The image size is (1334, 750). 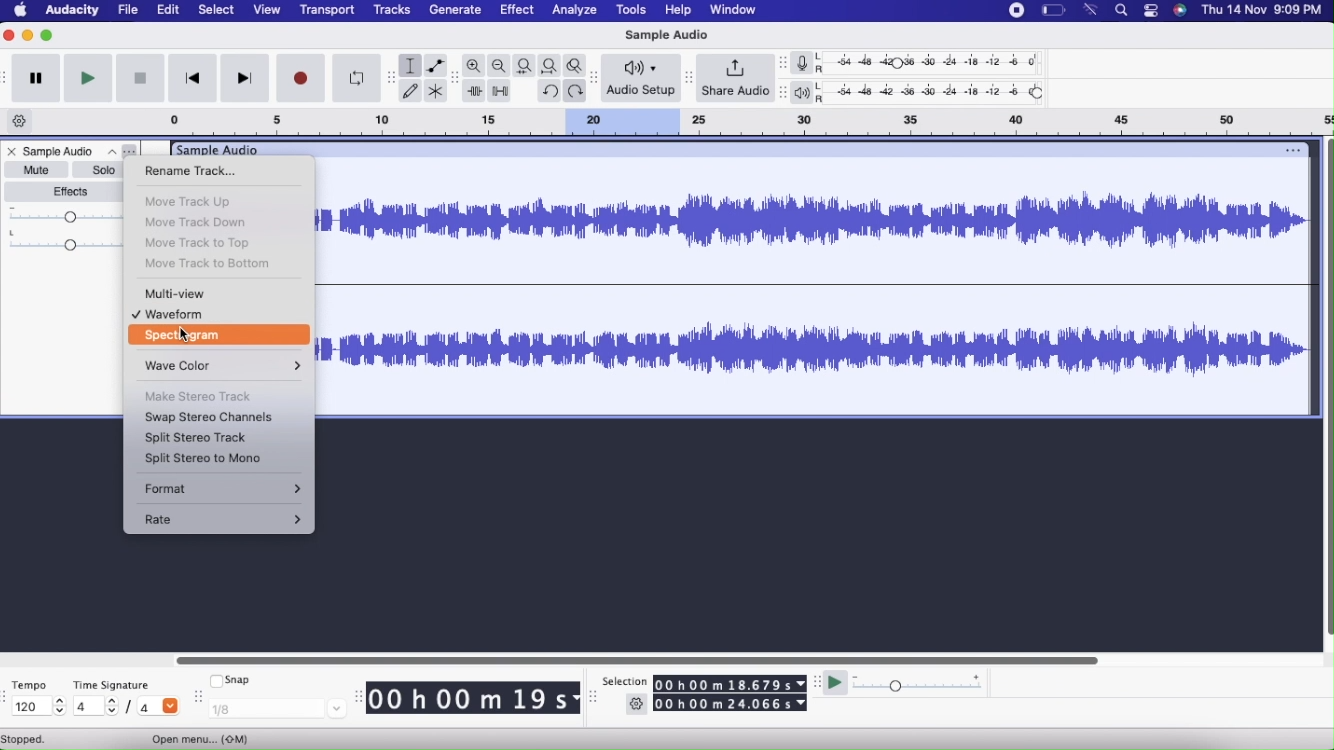 I want to click on Enable looping, so click(x=359, y=77).